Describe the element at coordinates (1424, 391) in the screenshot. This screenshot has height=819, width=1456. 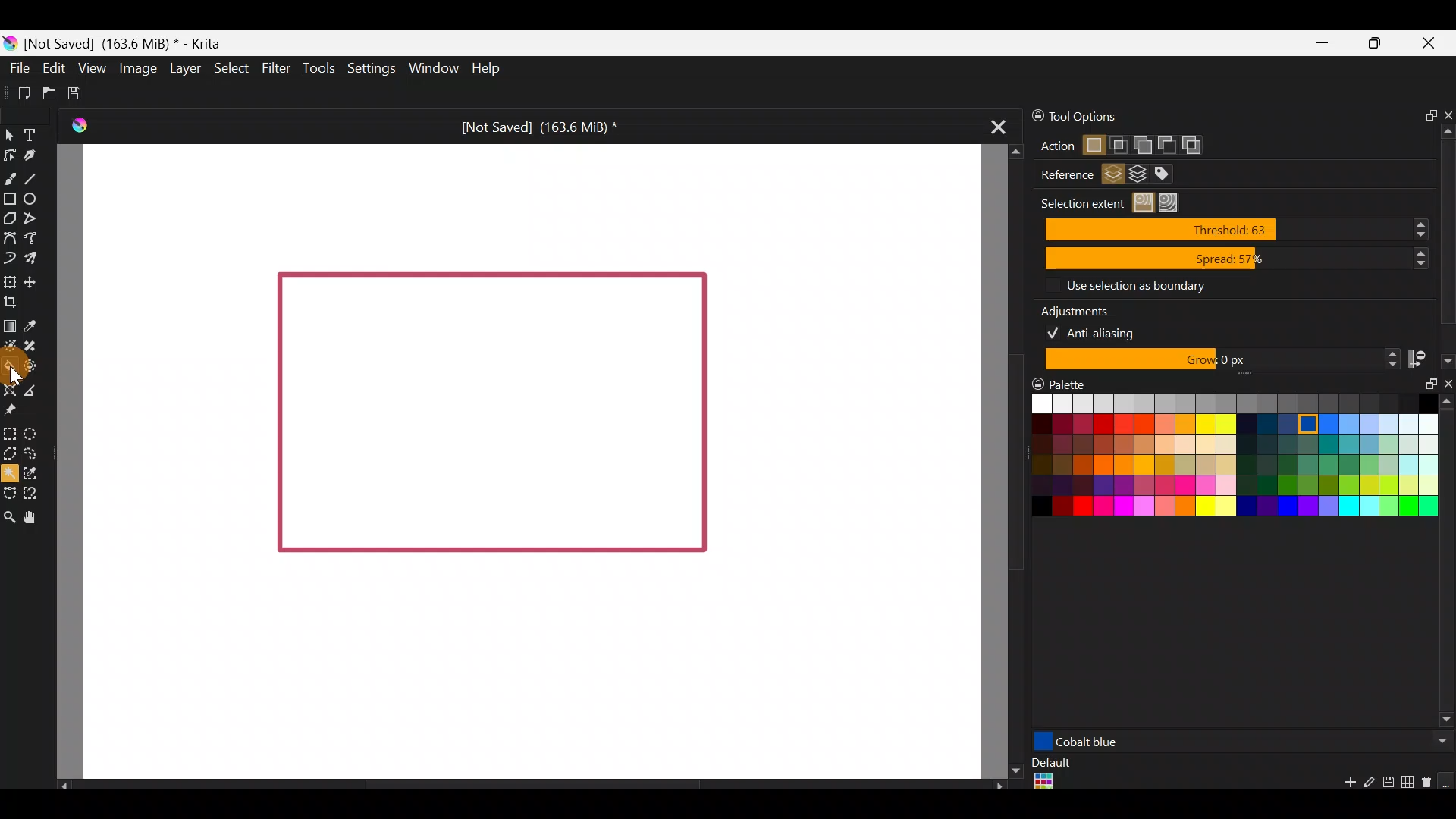
I see `Float docker` at that location.